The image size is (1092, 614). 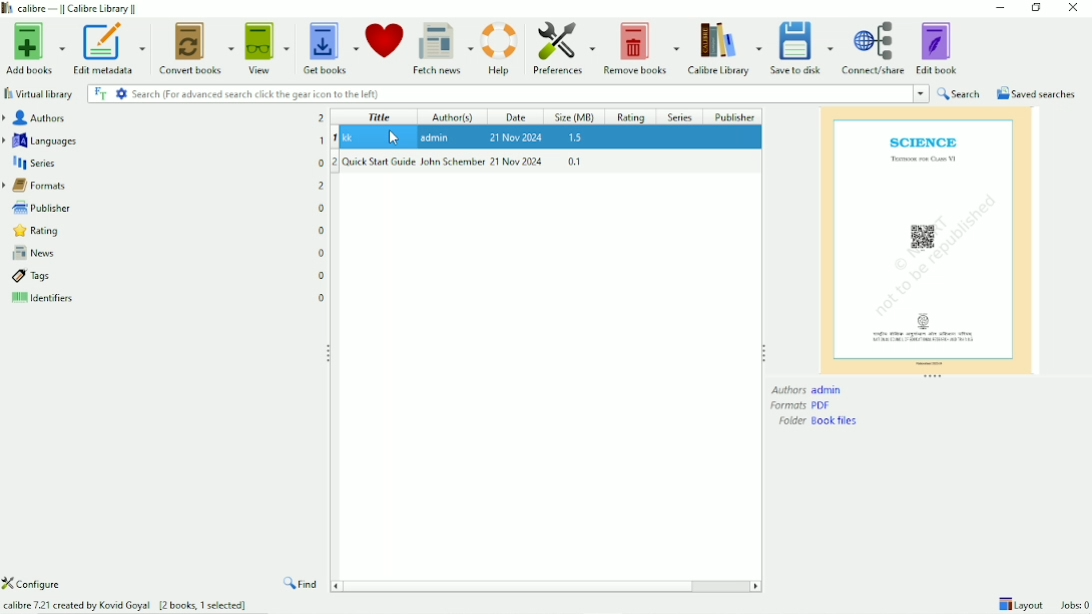 I want to click on Author(s), so click(x=459, y=117).